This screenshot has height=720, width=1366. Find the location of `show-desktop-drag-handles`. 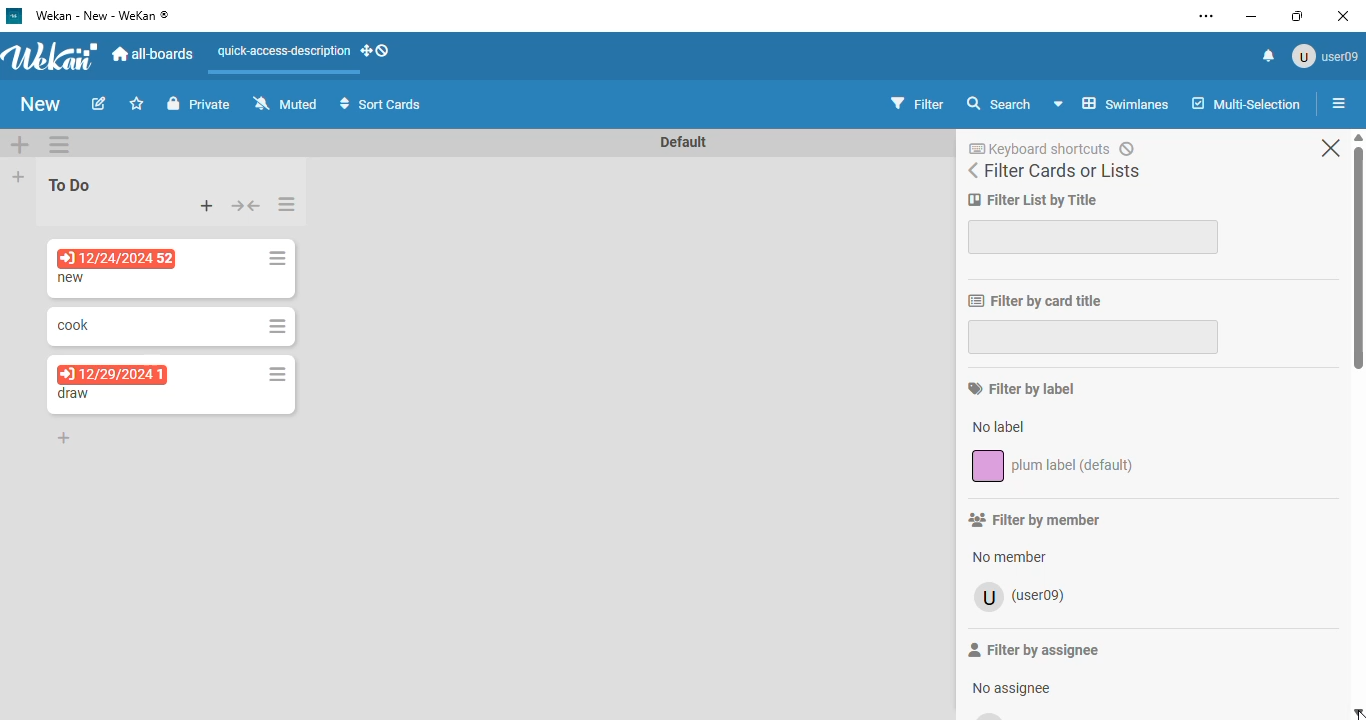

show-desktop-drag-handles is located at coordinates (376, 50).